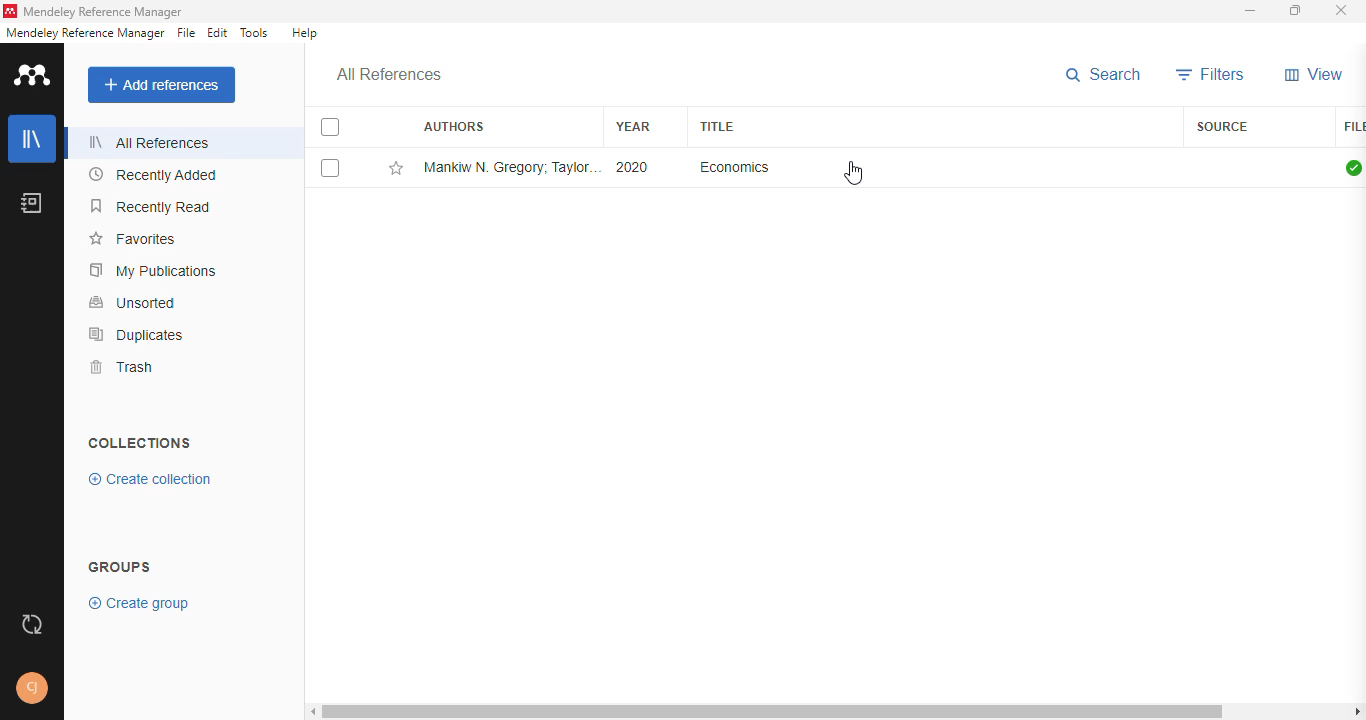 The height and width of the screenshot is (720, 1366). What do you see at coordinates (135, 239) in the screenshot?
I see `favorites` at bounding box center [135, 239].